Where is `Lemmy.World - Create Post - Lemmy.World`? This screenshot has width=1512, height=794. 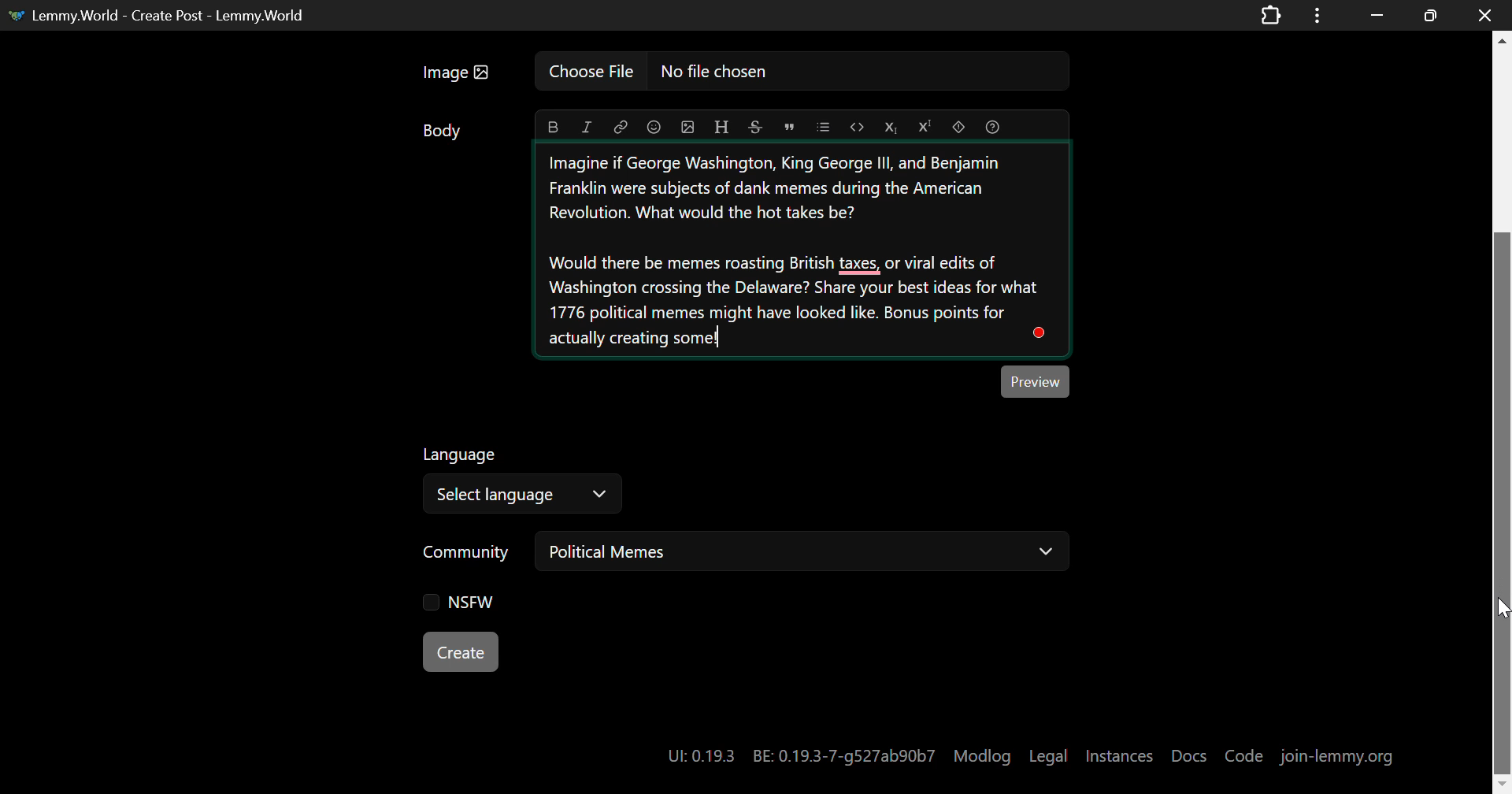
Lemmy.World - Create Post - Lemmy.World is located at coordinates (169, 15).